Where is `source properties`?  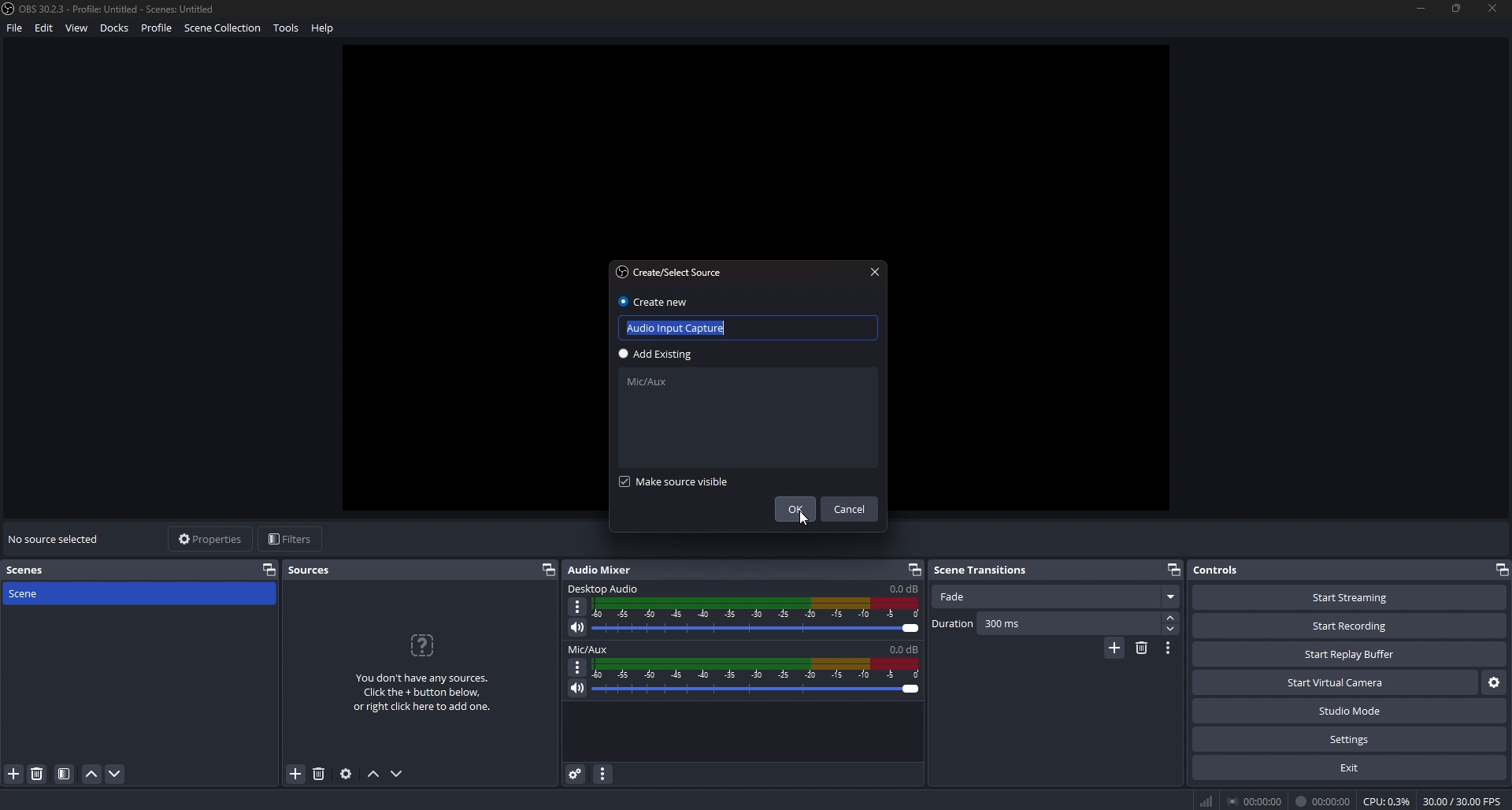
source properties is located at coordinates (346, 774).